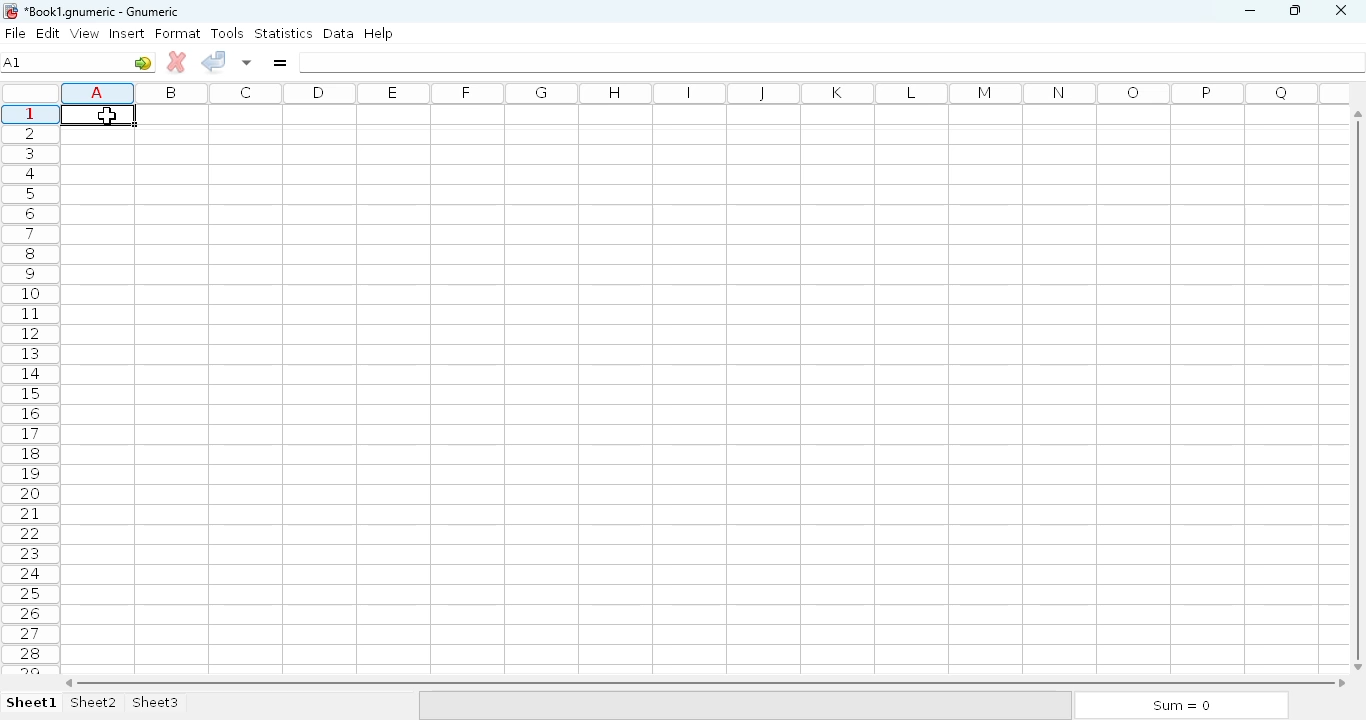 This screenshot has height=720, width=1366. What do you see at coordinates (178, 33) in the screenshot?
I see `format` at bounding box center [178, 33].